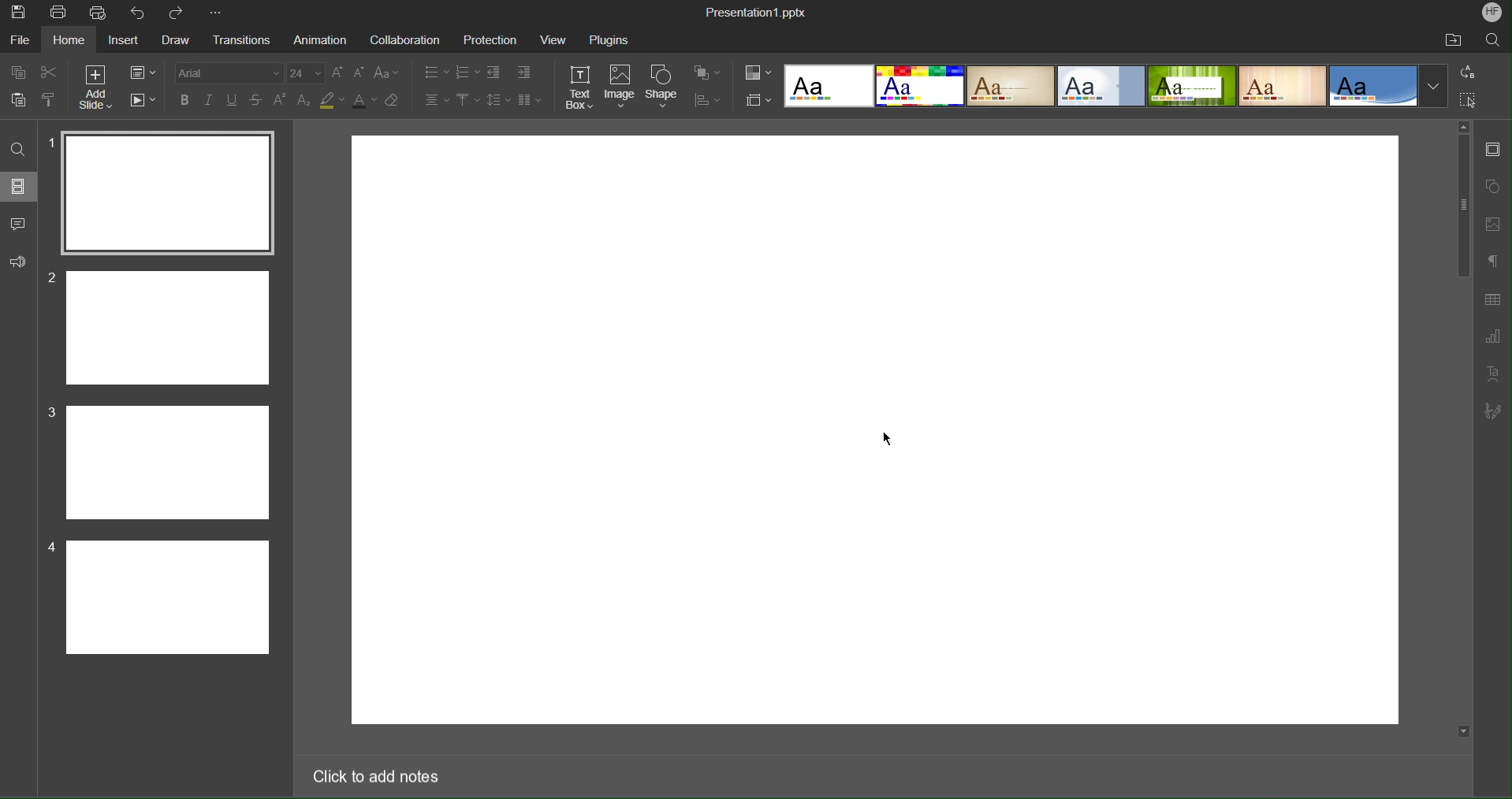  What do you see at coordinates (336, 72) in the screenshot?
I see `increase font size` at bounding box center [336, 72].